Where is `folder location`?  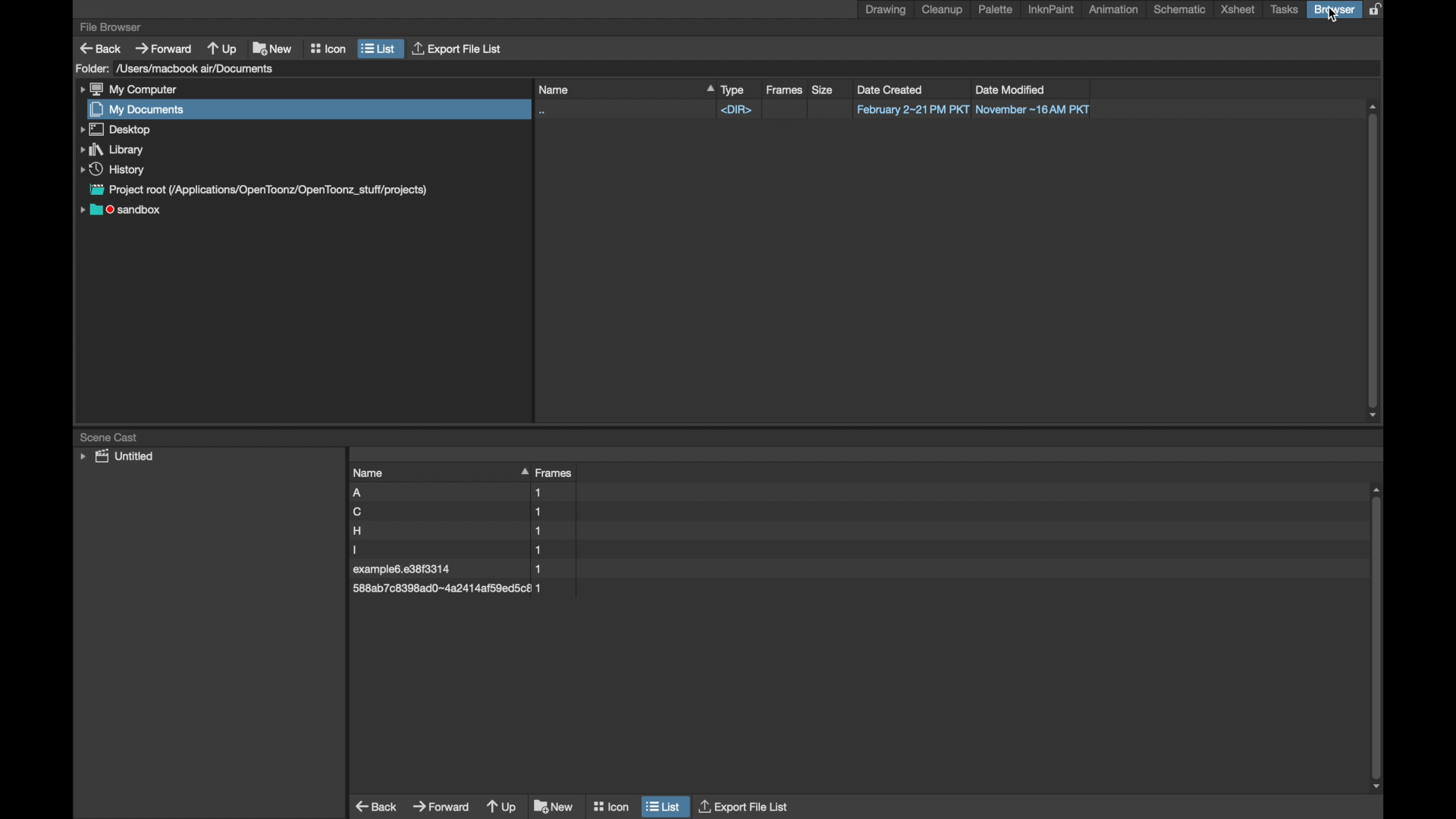 folder location is located at coordinates (197, 69).